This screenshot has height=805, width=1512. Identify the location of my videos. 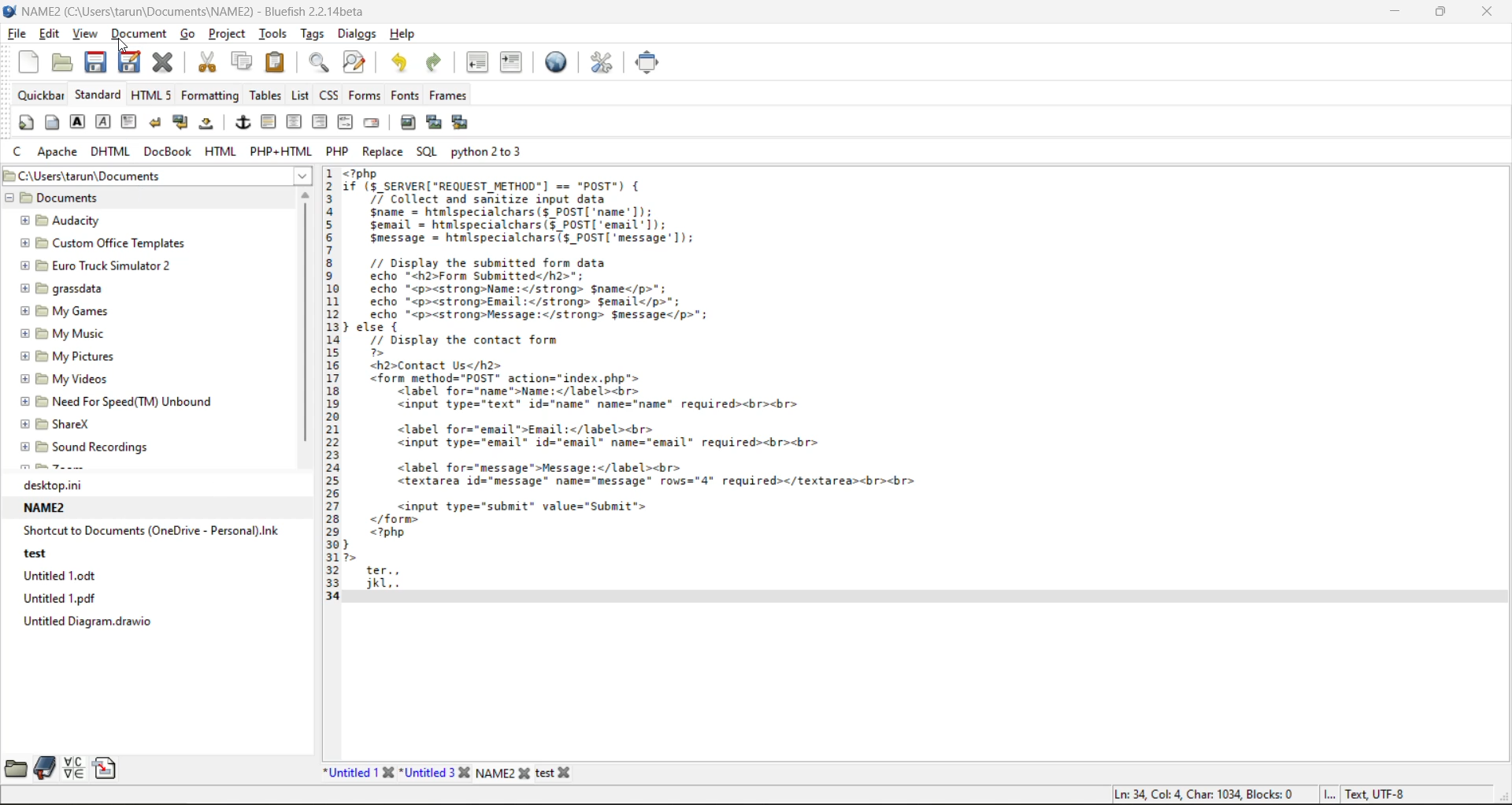
(74, 381).